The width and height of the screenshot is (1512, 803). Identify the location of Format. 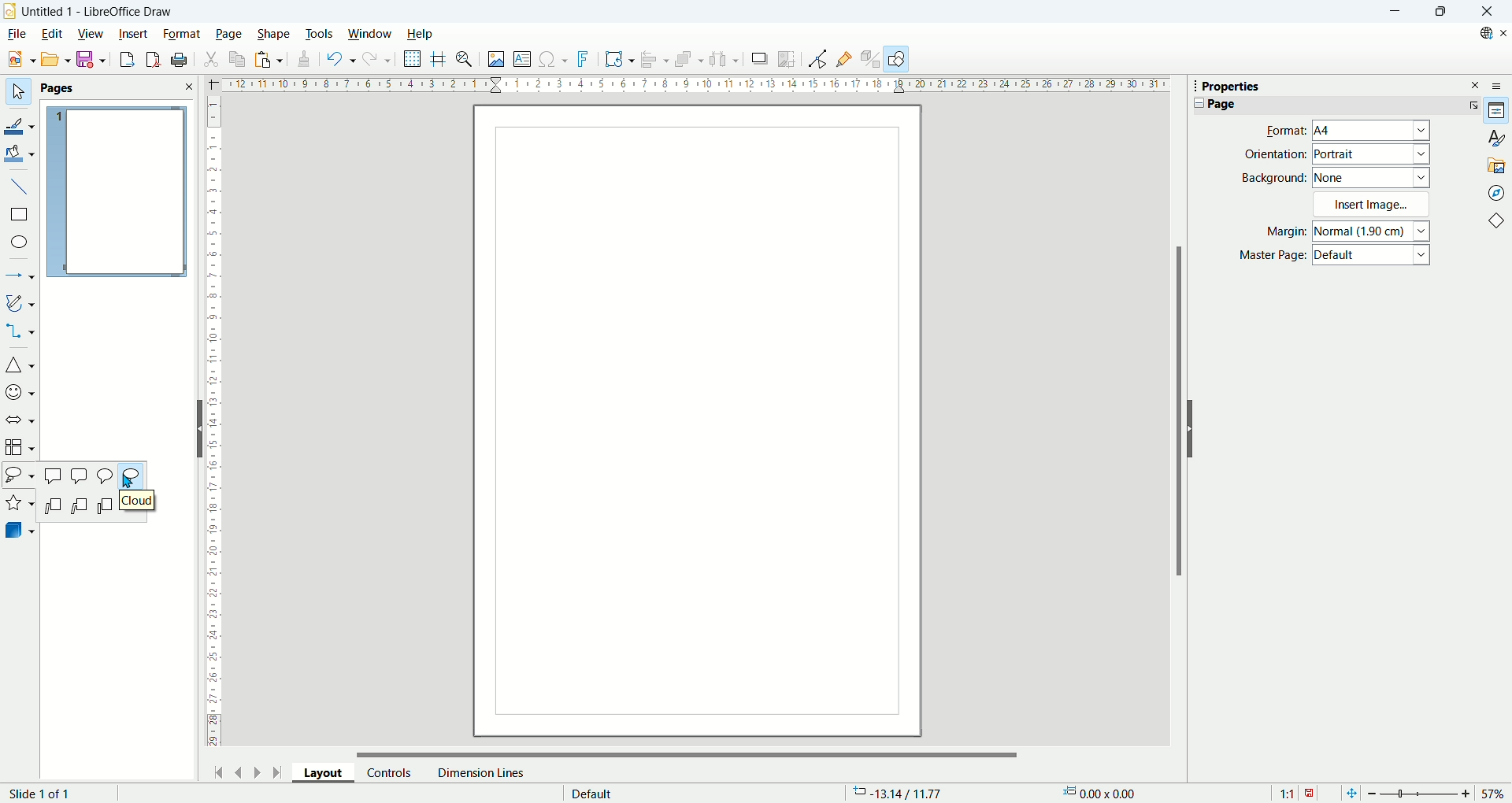
(1281, 130).